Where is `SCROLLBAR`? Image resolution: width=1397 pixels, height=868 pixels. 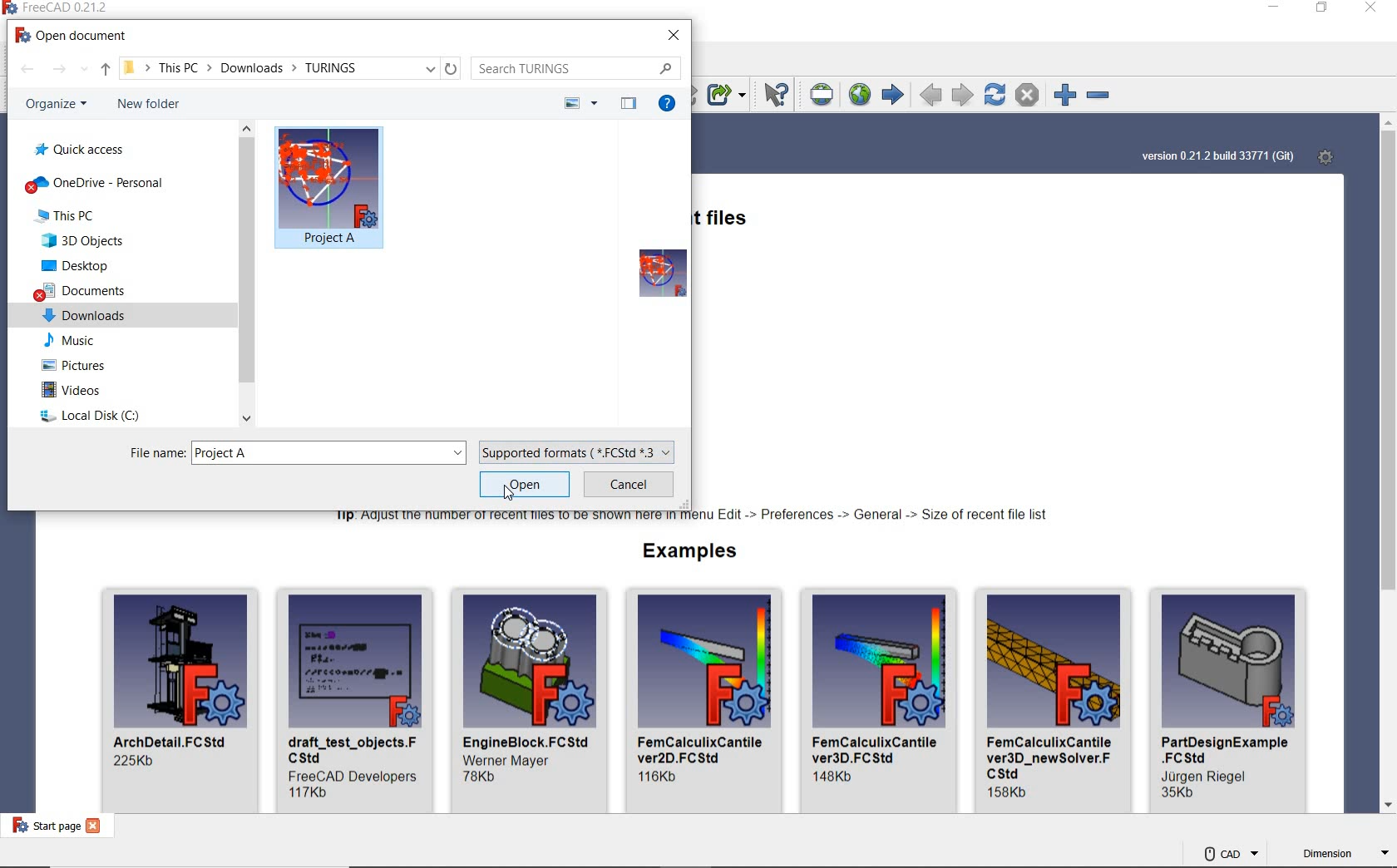 SCROLLBAR is located at coordinates (247, 274).